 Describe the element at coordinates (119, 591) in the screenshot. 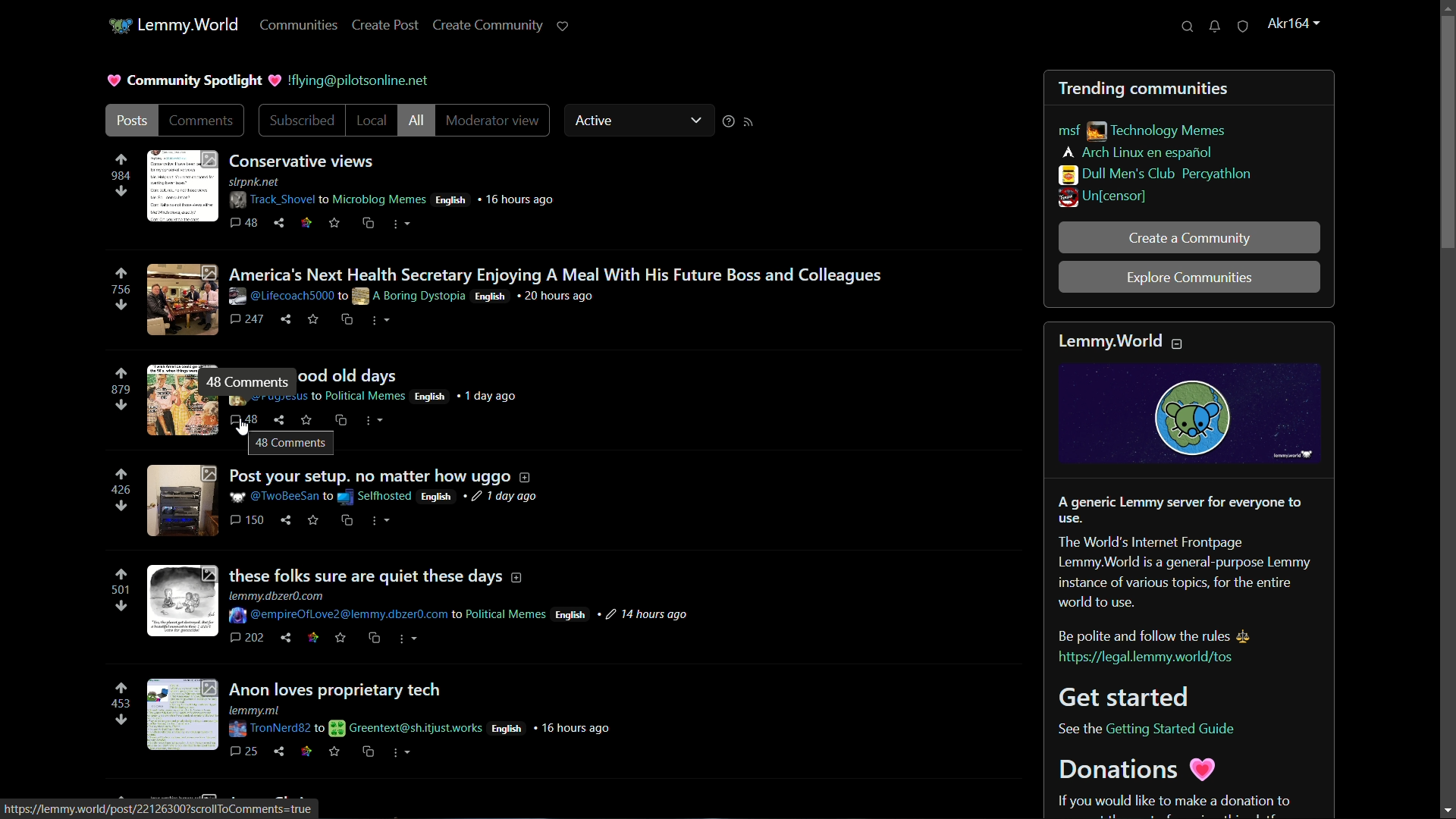

I see `number of votes` at that location.